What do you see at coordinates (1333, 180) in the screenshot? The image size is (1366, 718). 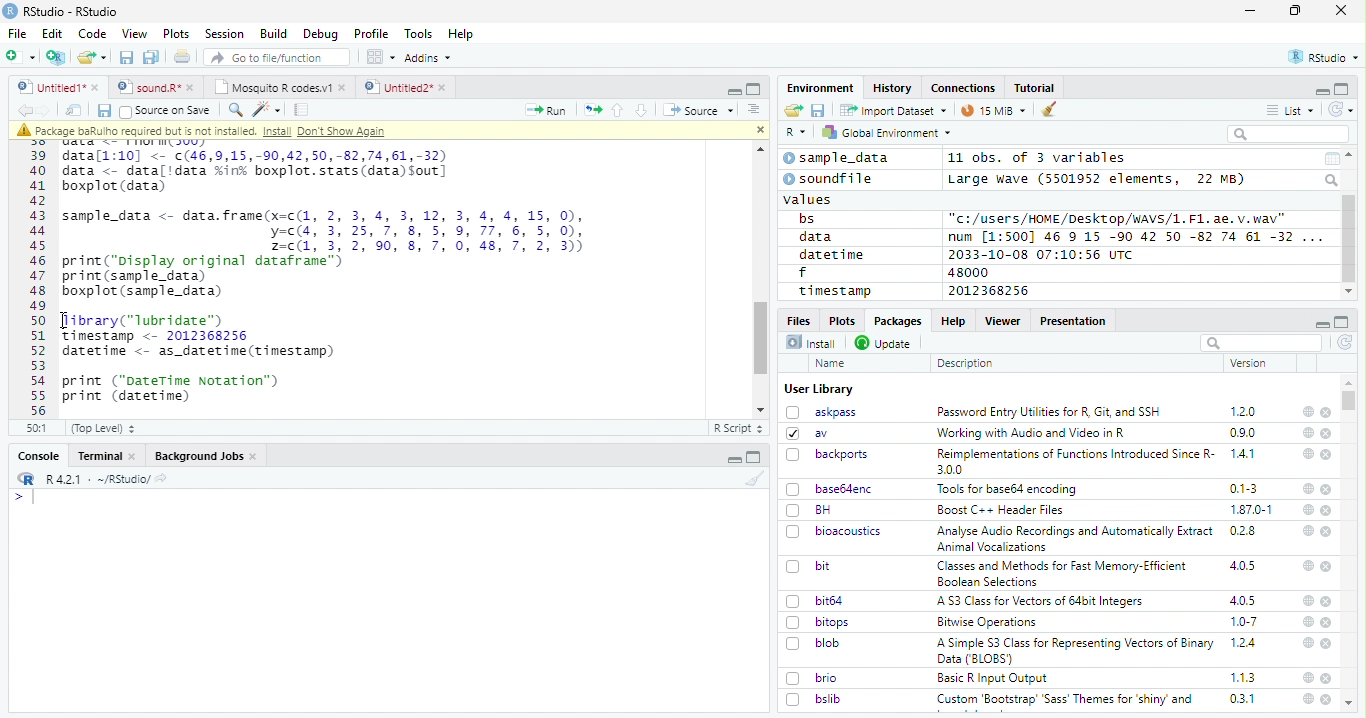 I see `Search` at bounding box center [1333, 180].